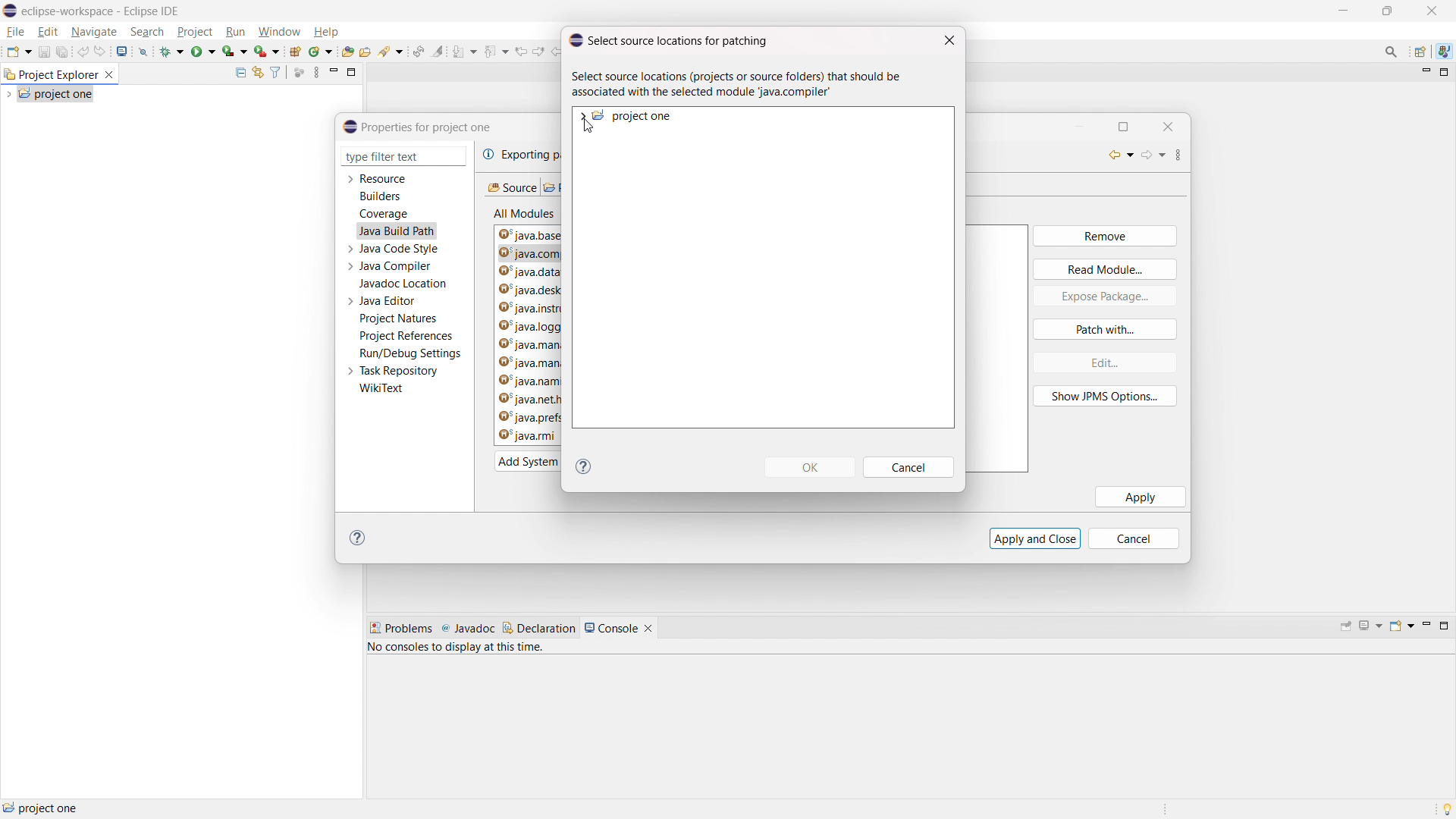 The image size is (1456, 819). Describe the element at coordinates (399, 318) in the screenshot. I see `project natures` at that location.